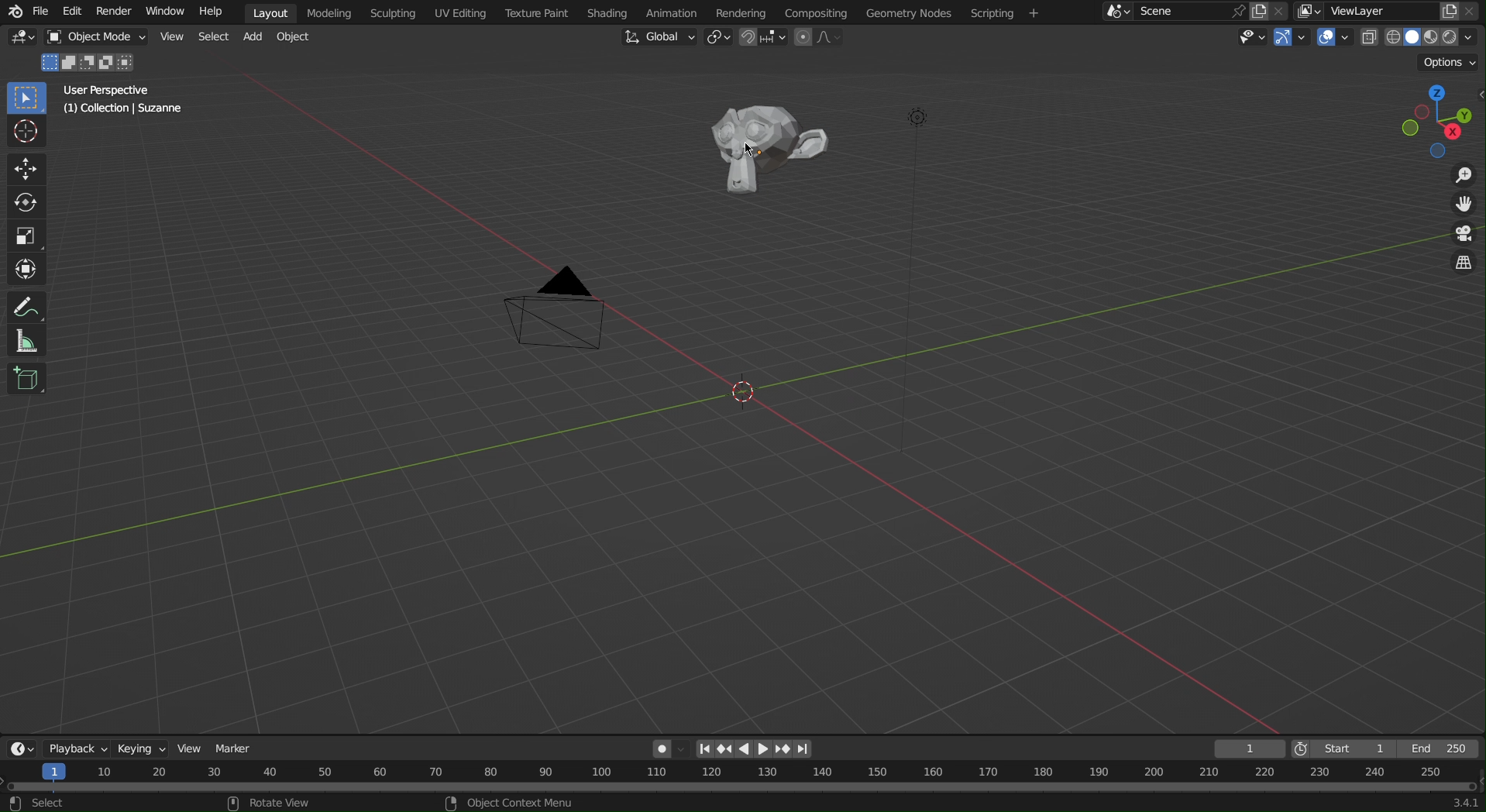 Image resolution: width=1486 pixels, height=812 pixels. What do you see at coordinates (521, 802) in the screenshot?
I see `Object Context Menu` at bounding box center [521, 802].